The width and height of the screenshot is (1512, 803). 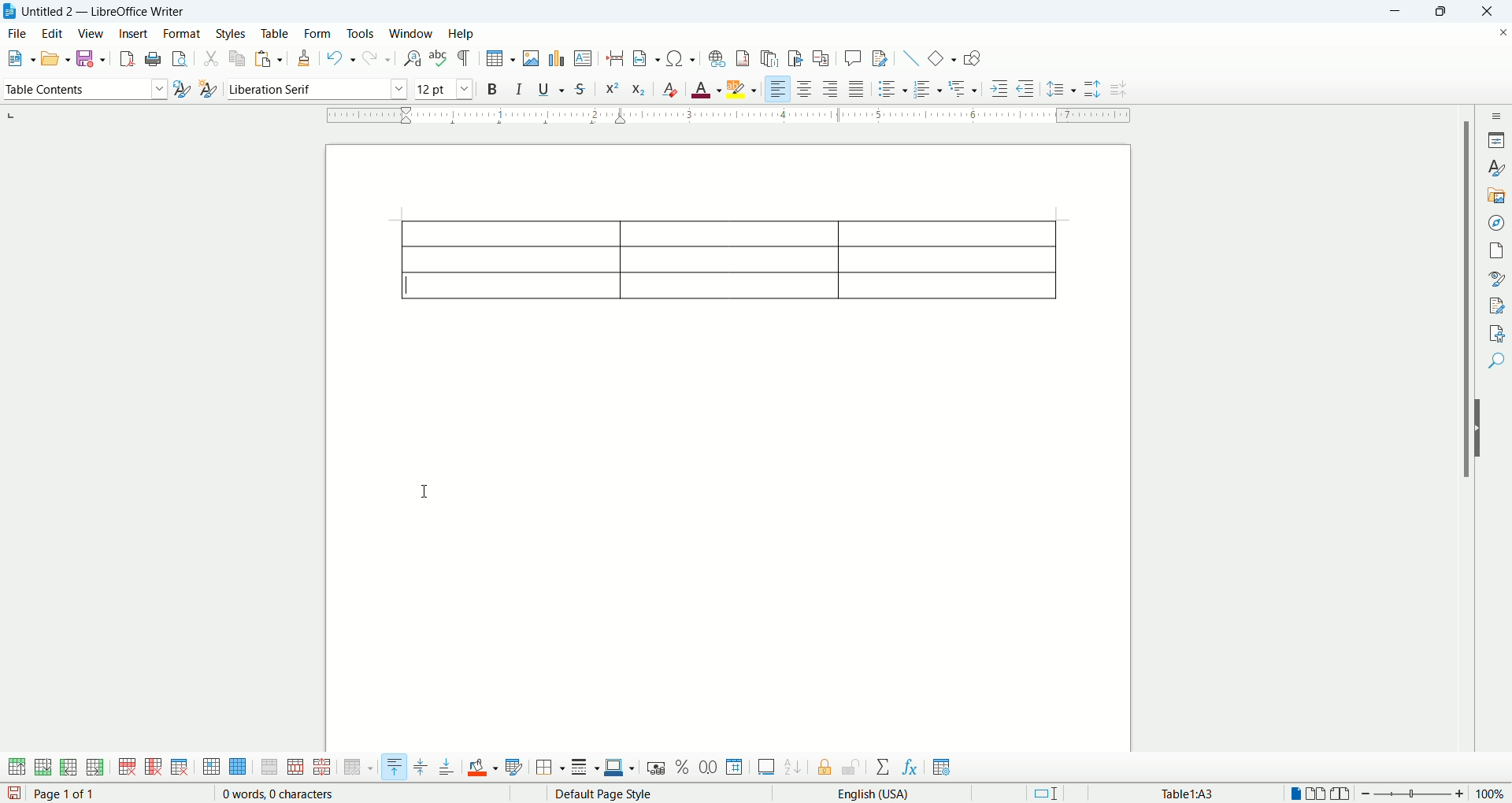 What do you see at coordinates (266, 794) in the screenshot?
I see `0 words, 0 characters` at bounding box center [266, 794].